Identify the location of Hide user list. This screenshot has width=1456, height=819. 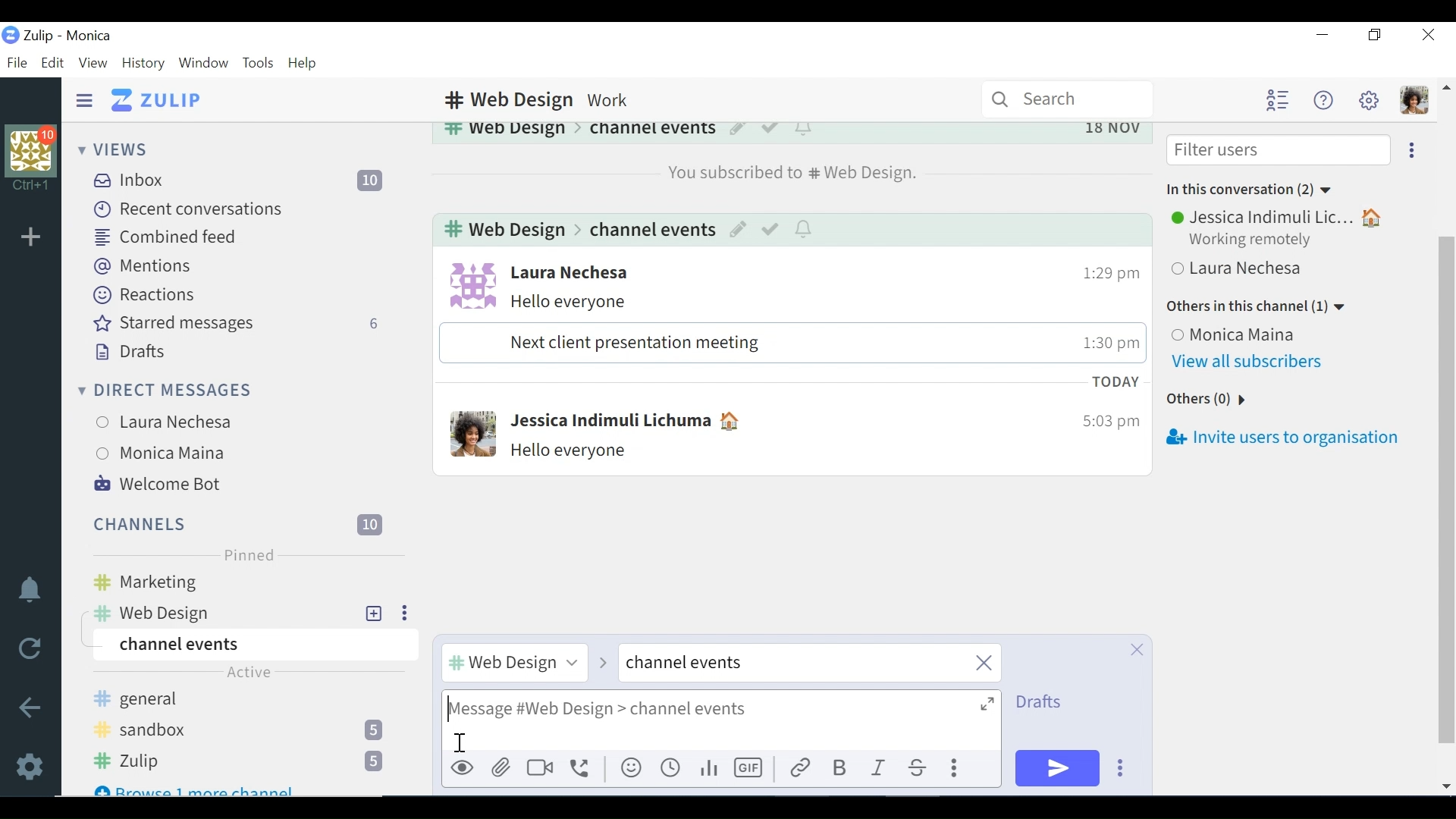
(1277, 101).